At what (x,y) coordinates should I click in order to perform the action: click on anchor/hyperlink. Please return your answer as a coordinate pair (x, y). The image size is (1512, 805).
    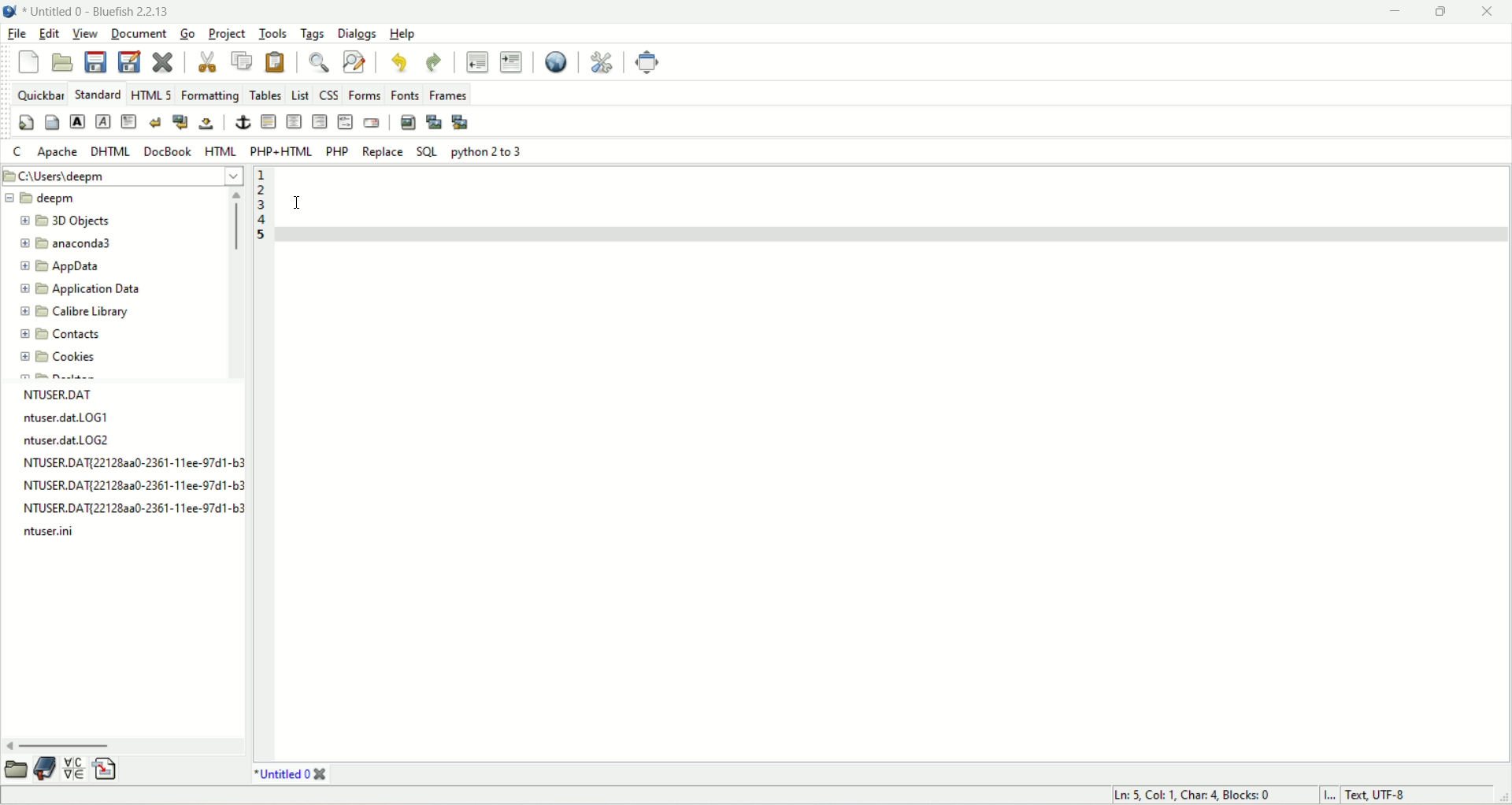
    Looking at the image, I should click on (241, 123).